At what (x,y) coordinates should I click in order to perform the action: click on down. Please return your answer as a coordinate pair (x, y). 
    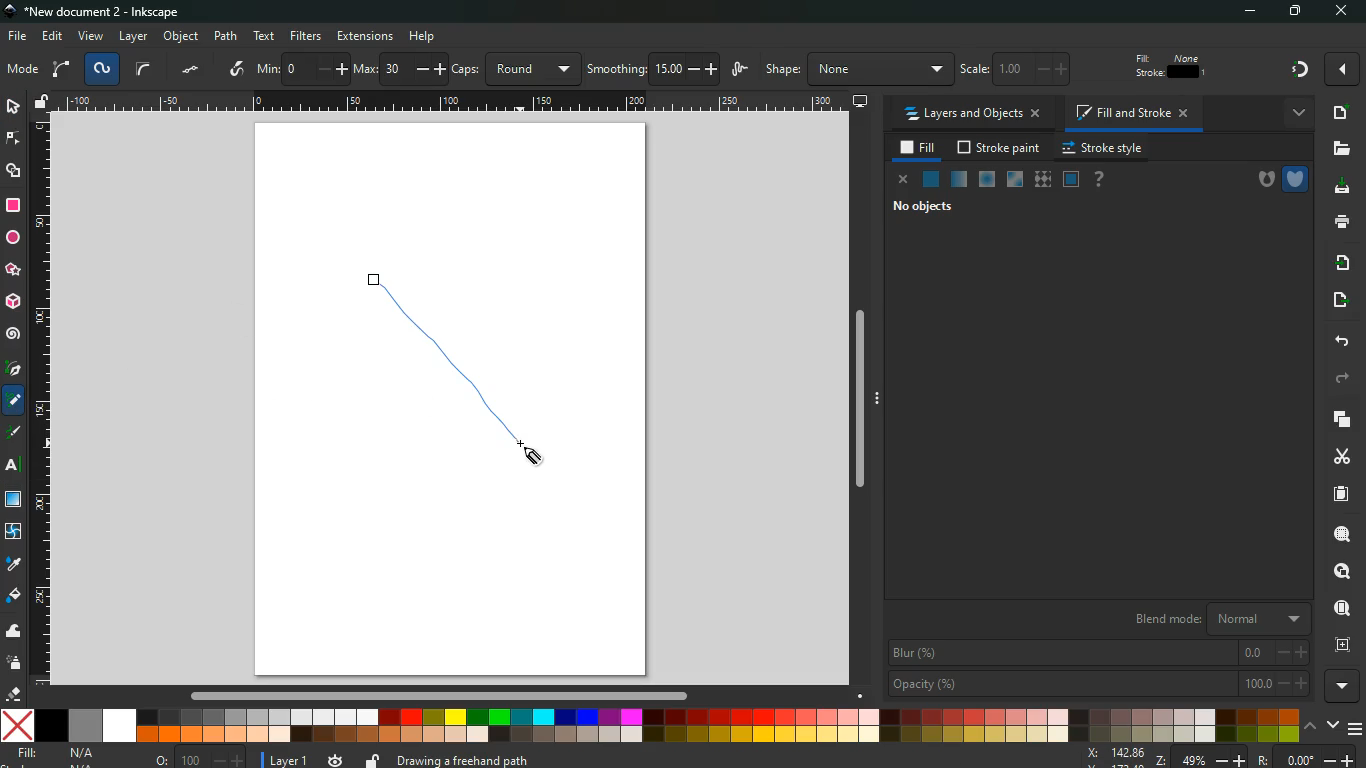
    Looking at the image, I should click on (1332, 725).